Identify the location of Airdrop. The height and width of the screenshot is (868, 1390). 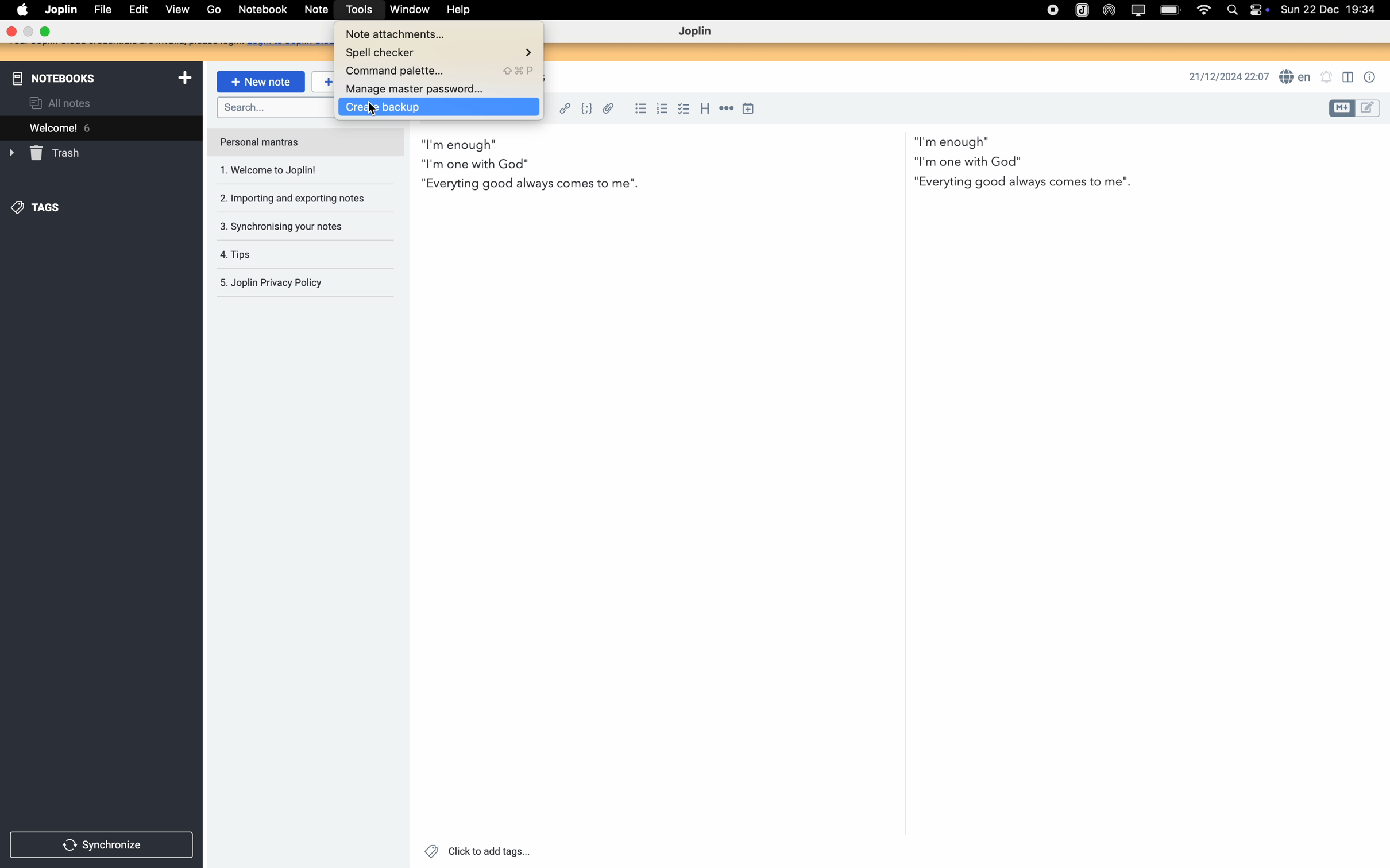
(1109, 9).